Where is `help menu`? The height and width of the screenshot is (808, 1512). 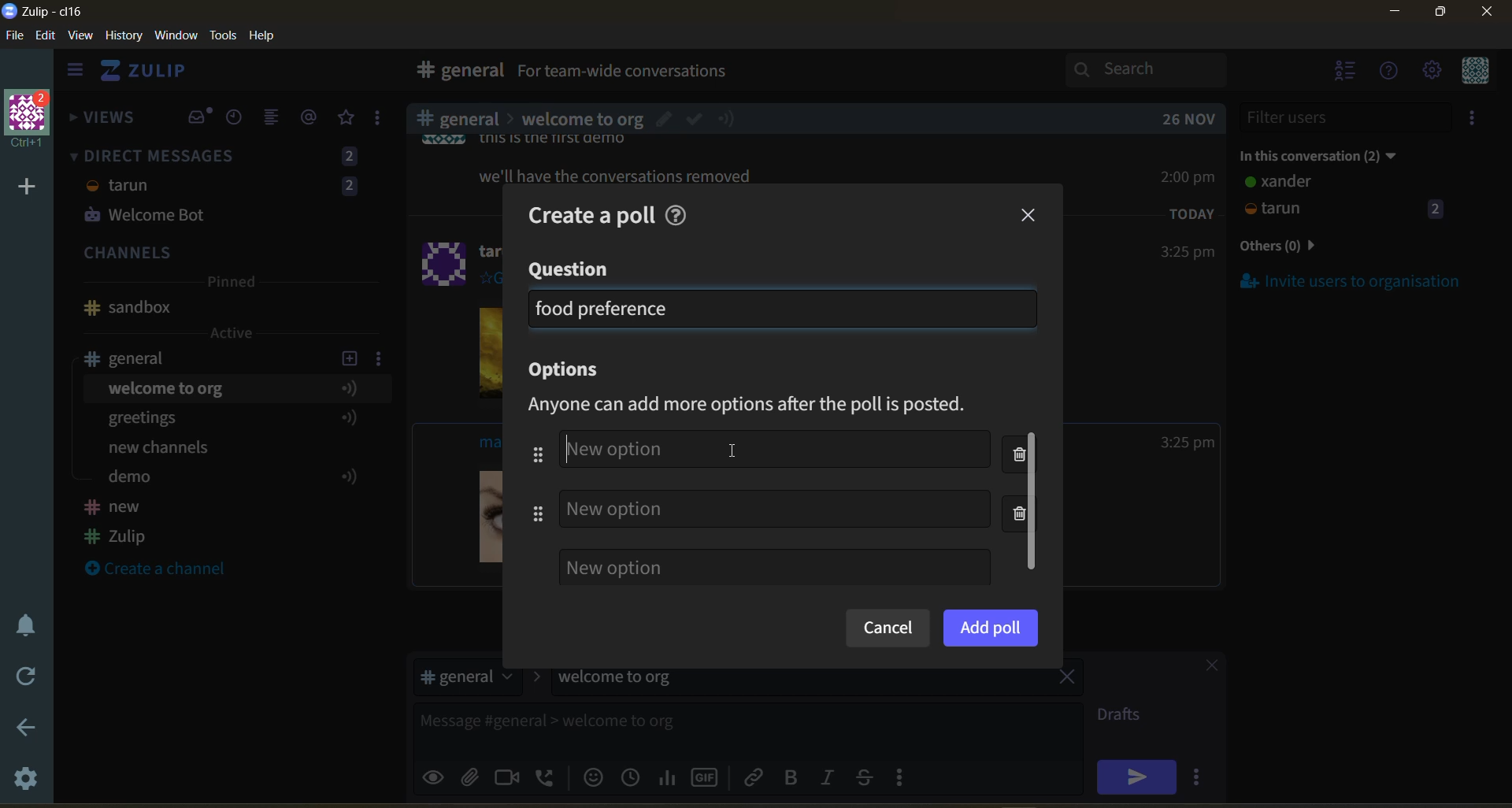
help menu is located at coordinates (1390, 72).